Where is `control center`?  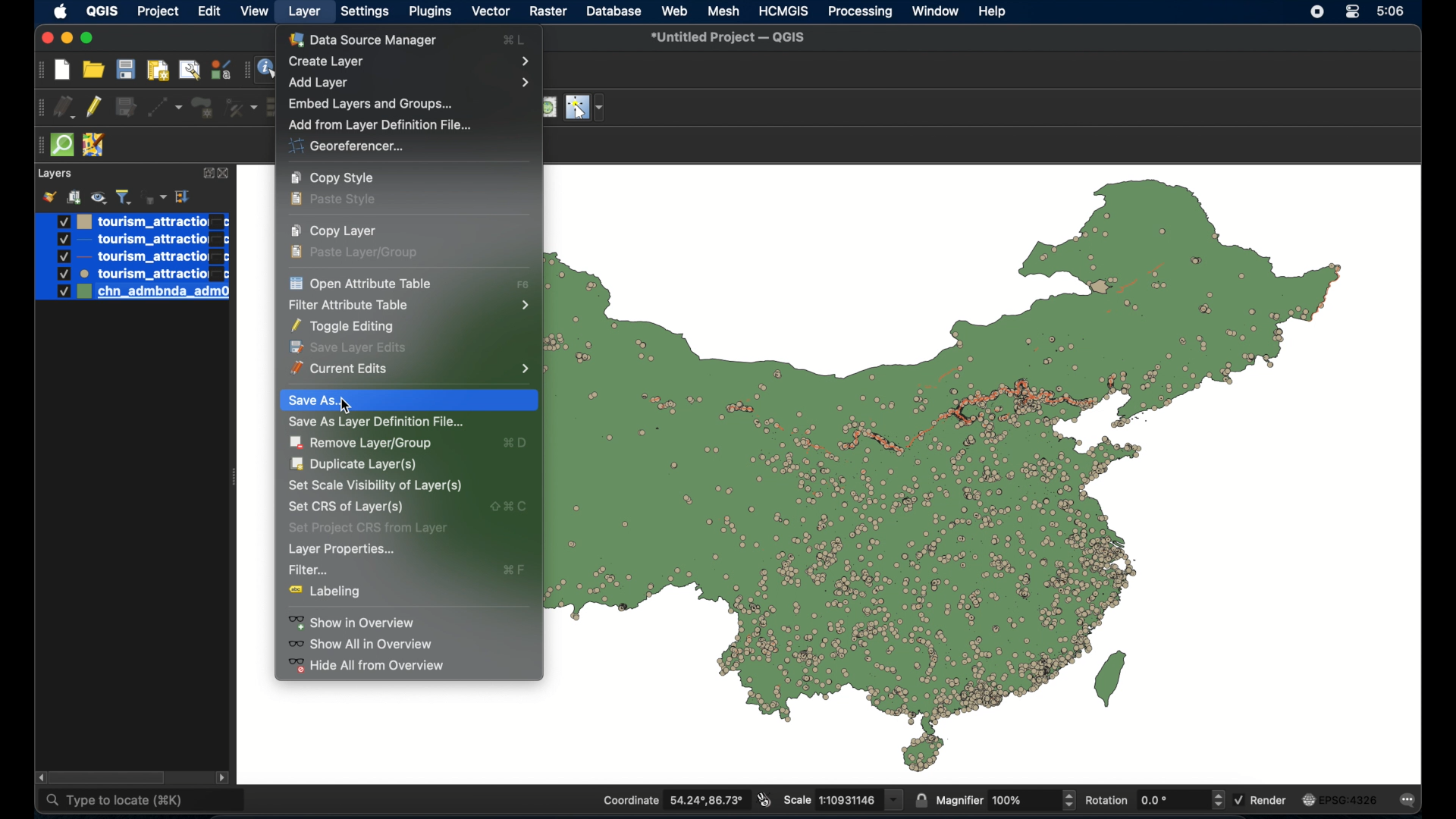 control center is located at coordinates (1355, 13).